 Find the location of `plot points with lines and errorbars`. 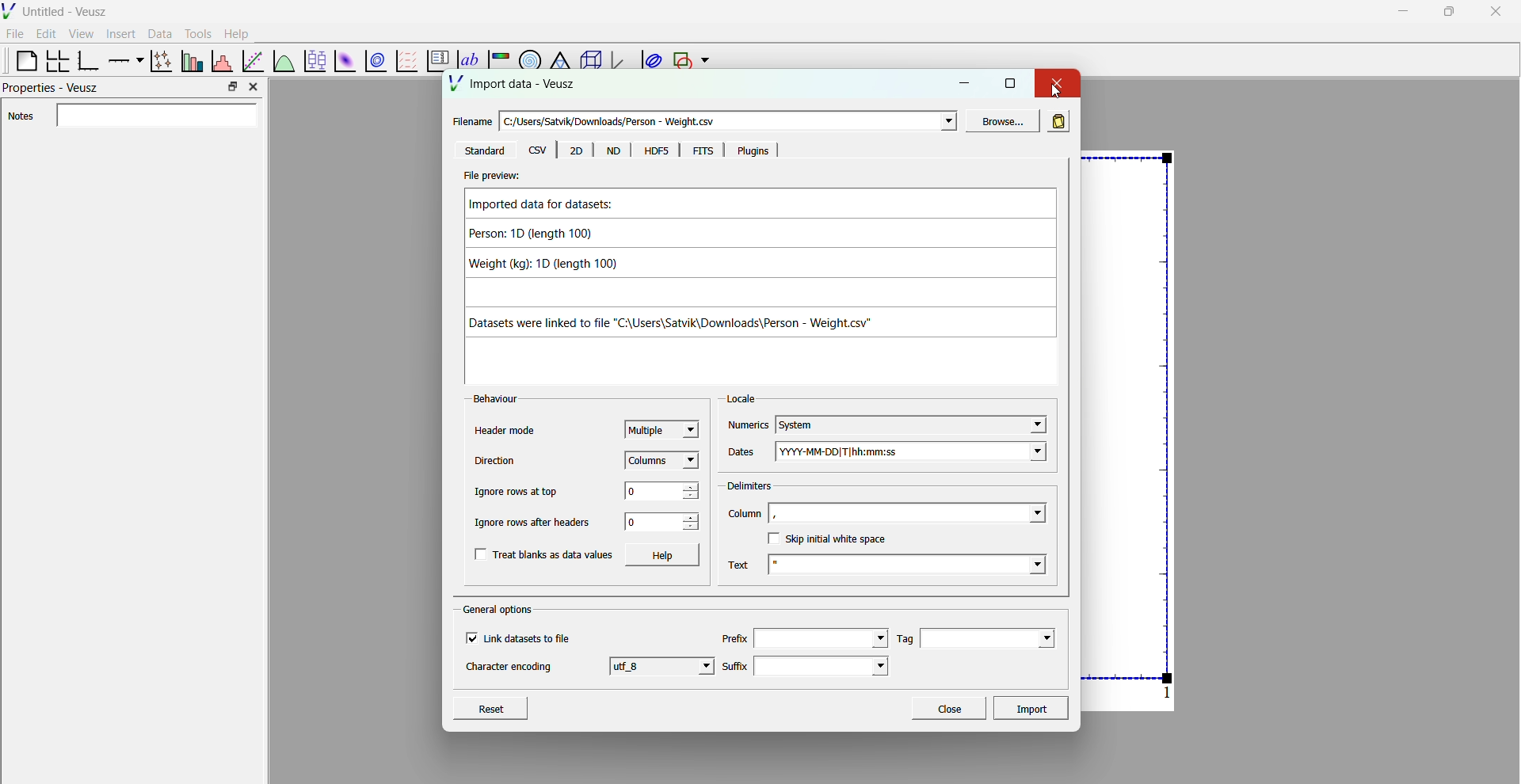

plot points with lines and errorbars is located at coordinates (159, 61).